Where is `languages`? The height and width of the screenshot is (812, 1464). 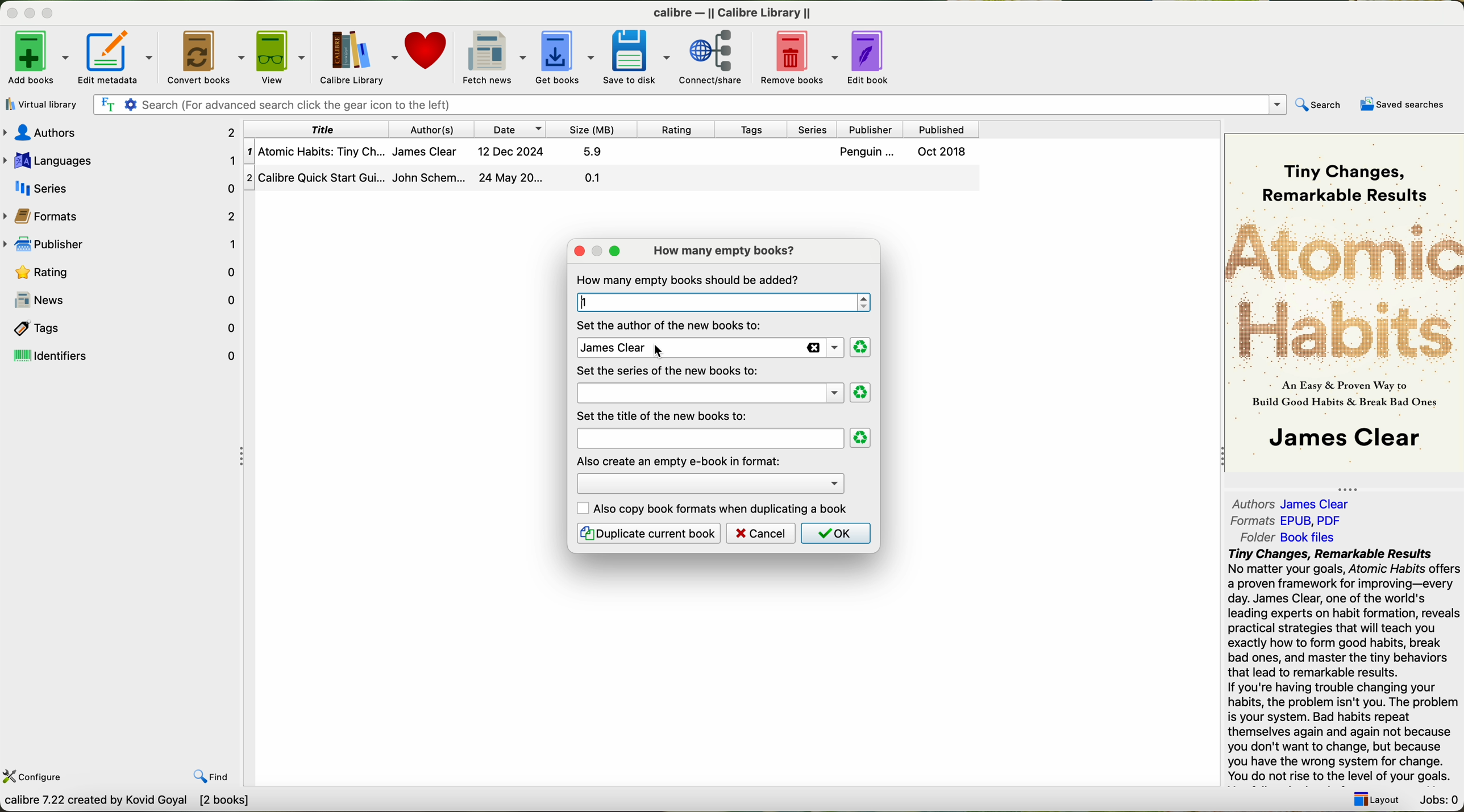 languages is located at coordinates (121, 159).